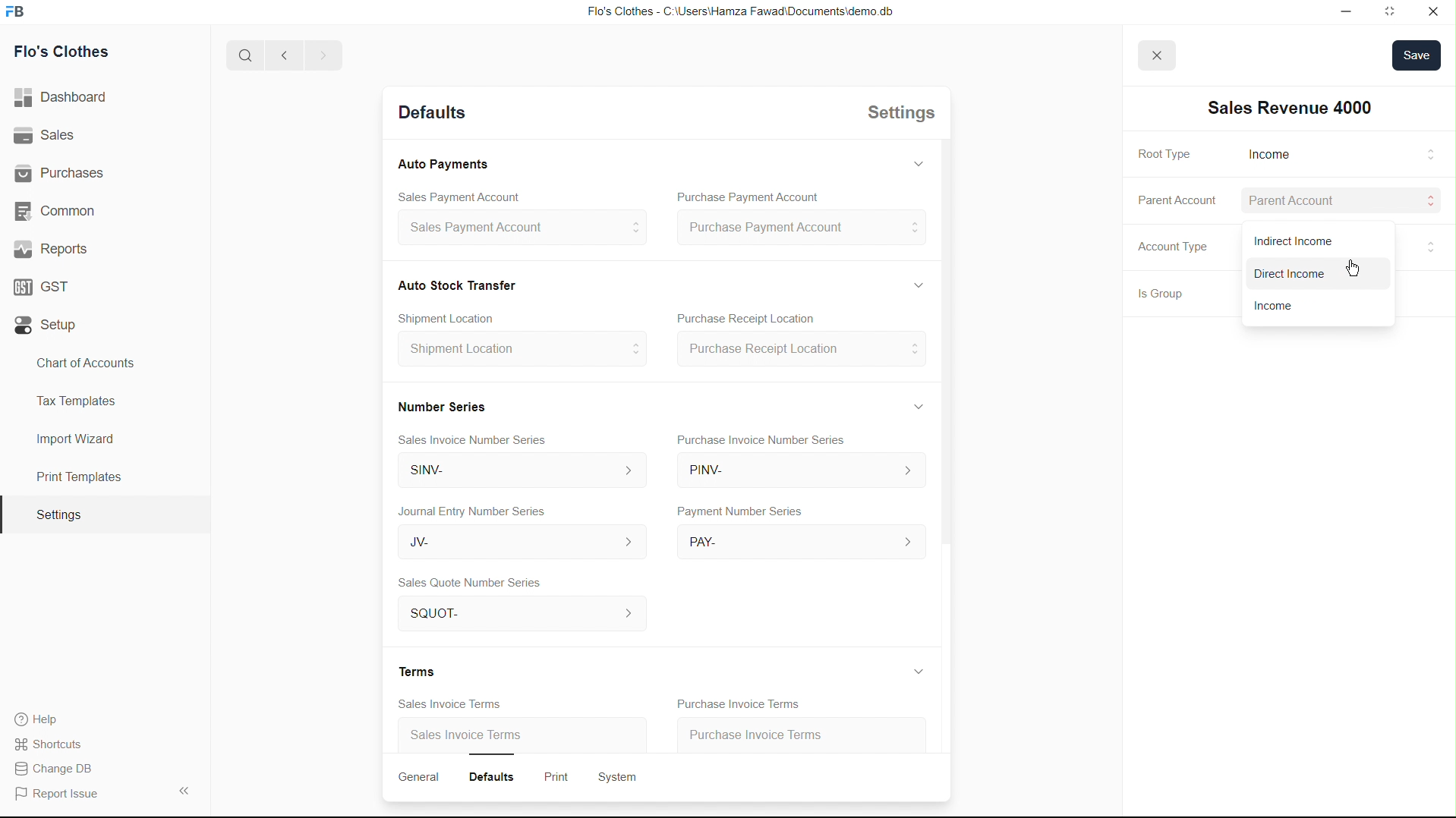 The width and height of the screenshot is (1456, 818). What do you see at coordinates (470, 584) in the screenshot?
I see `Sales Quote Number Series` at bounding box center [470, 584].